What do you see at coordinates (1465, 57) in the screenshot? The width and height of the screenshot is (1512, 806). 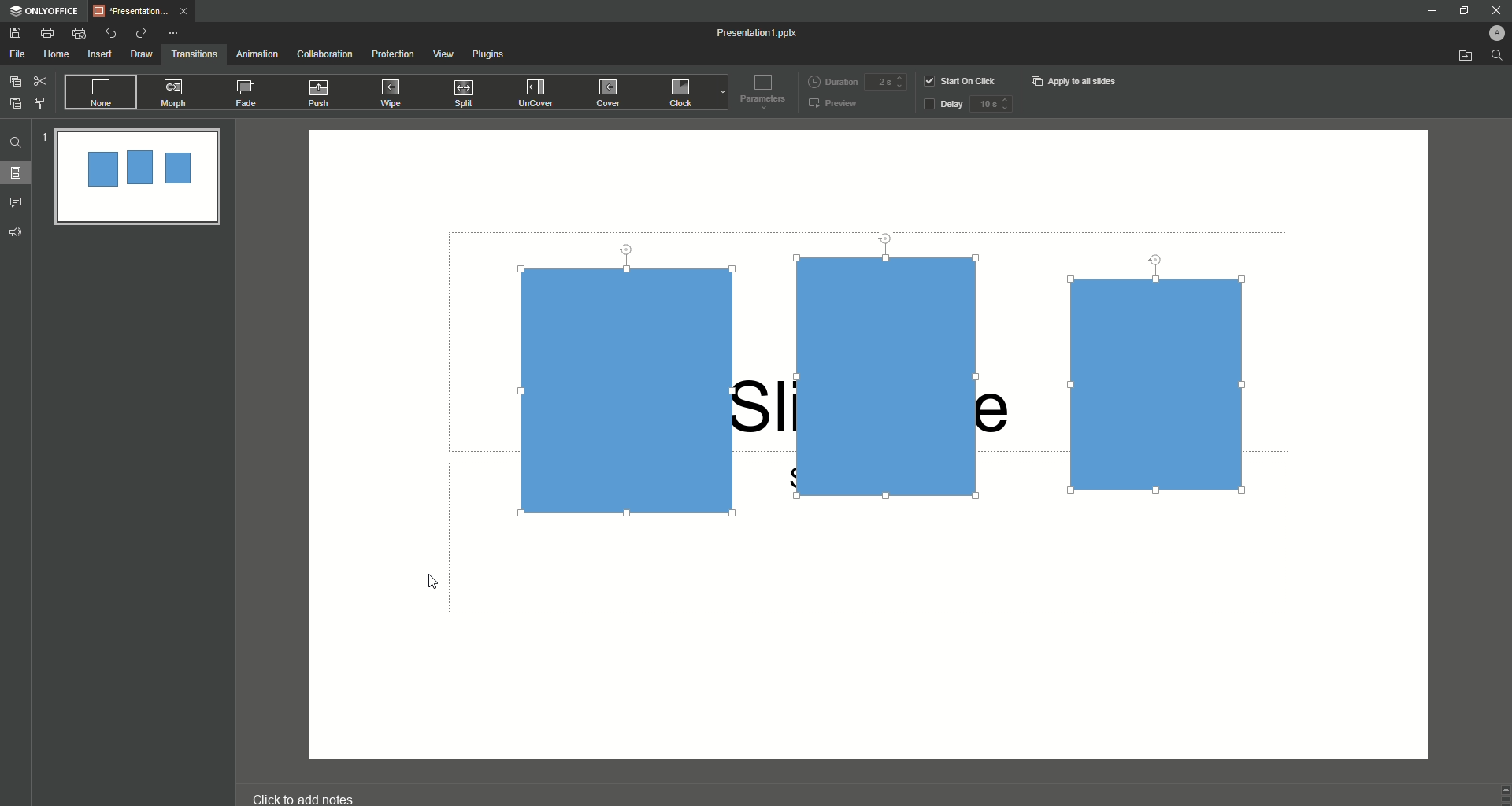 I see `Open from file` at bounding box center [1465, 57].